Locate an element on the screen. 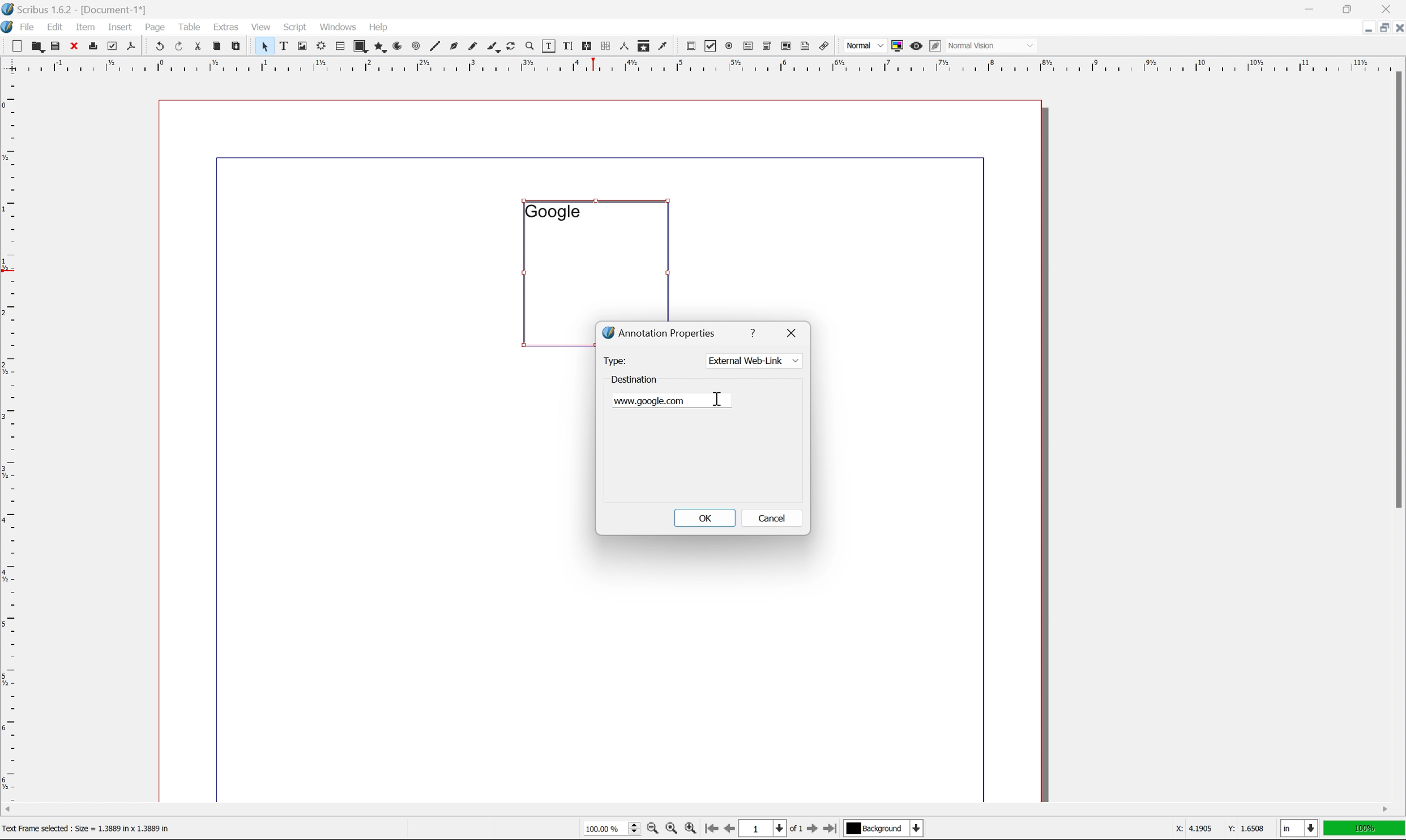 This screenshot has height=840, width=1406. zoom out is located at coordinates (649, 830).